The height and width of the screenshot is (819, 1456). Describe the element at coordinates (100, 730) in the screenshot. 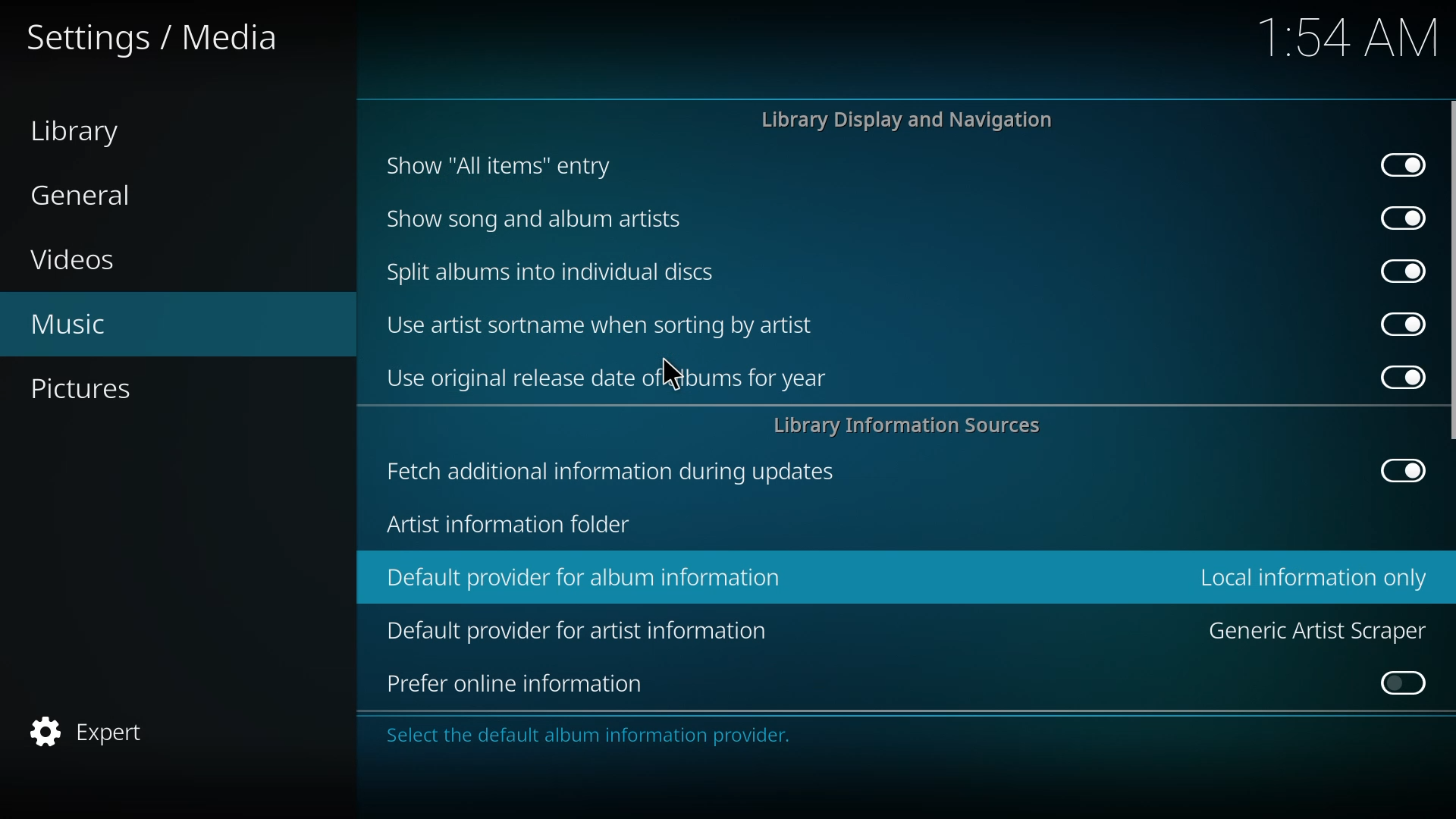

I see `expert` at that location.